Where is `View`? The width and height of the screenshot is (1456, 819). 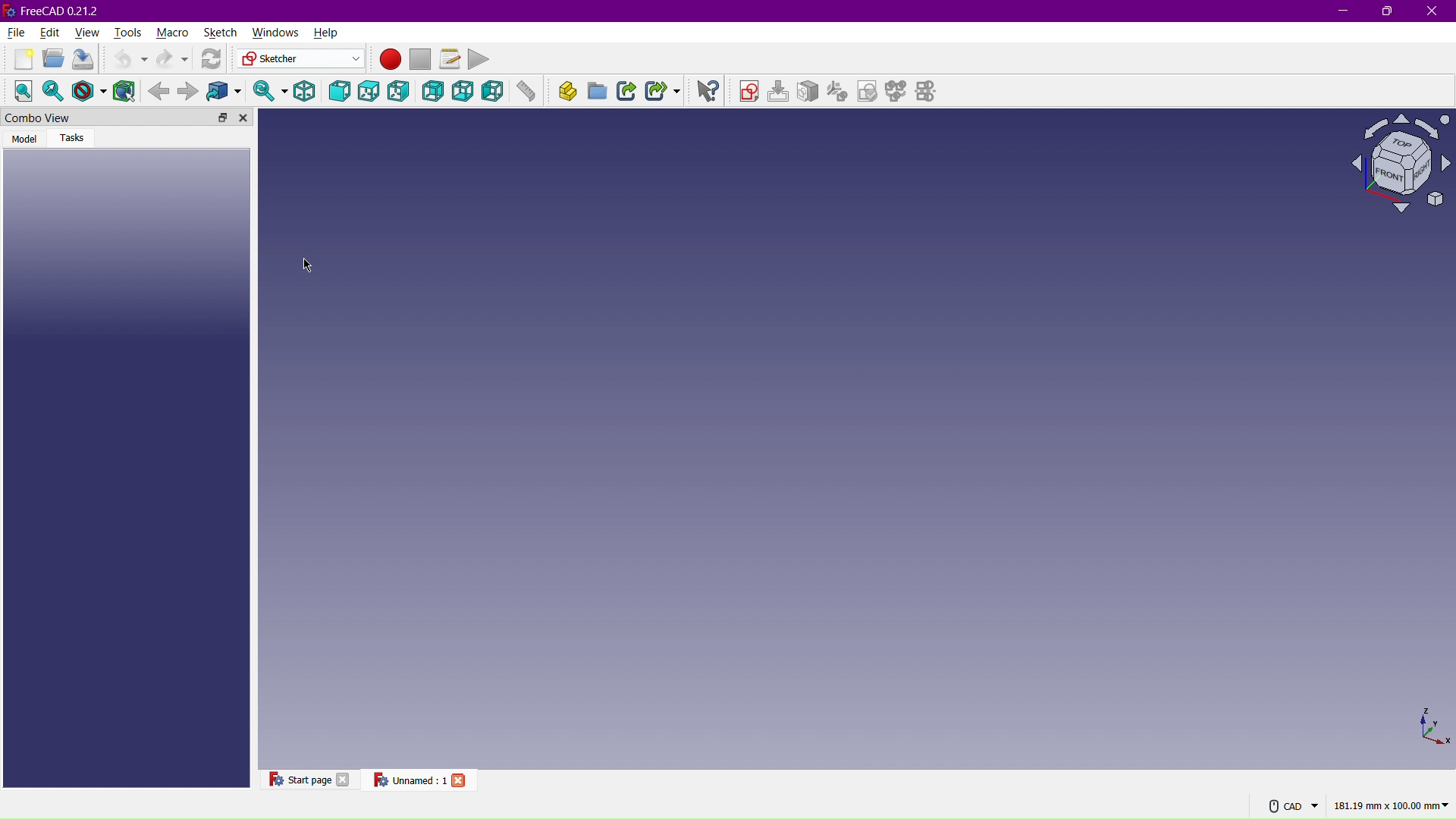
View is located at coordinates (89, 30).